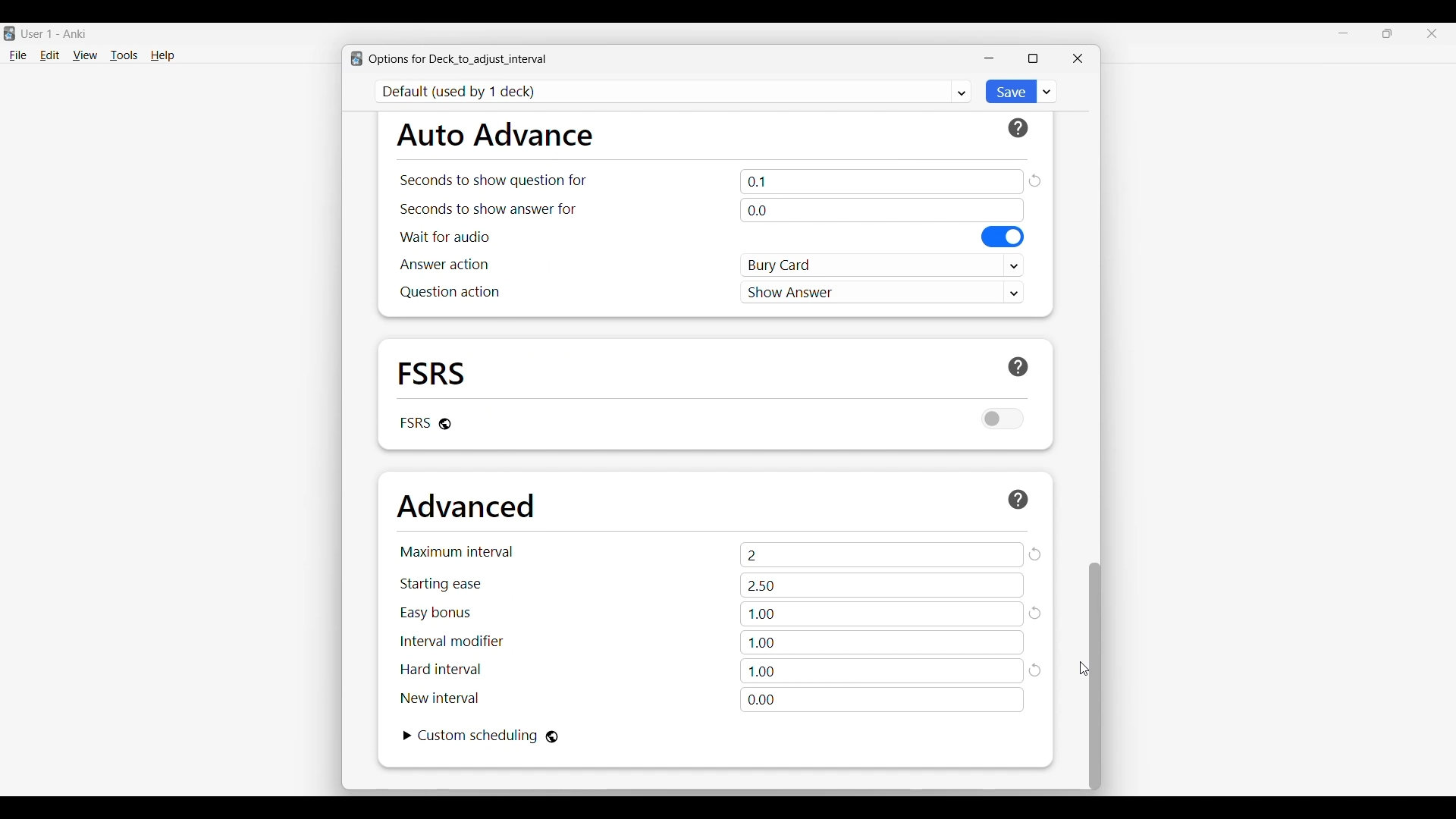 This screenshot has height=819, width=1456. I want to click on View menu, so click(85, 55).